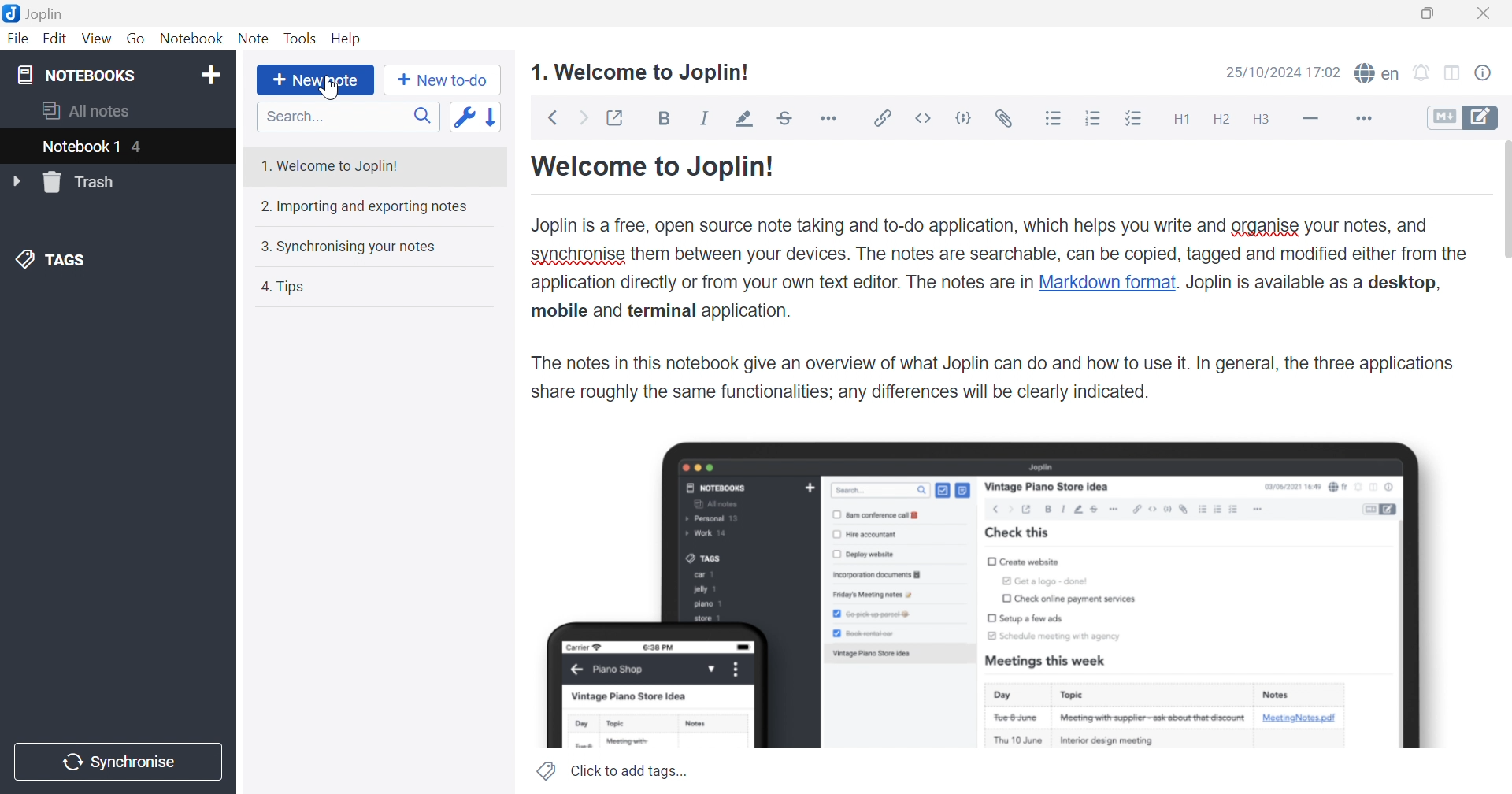  I want to click on New note, so click(315, 81).